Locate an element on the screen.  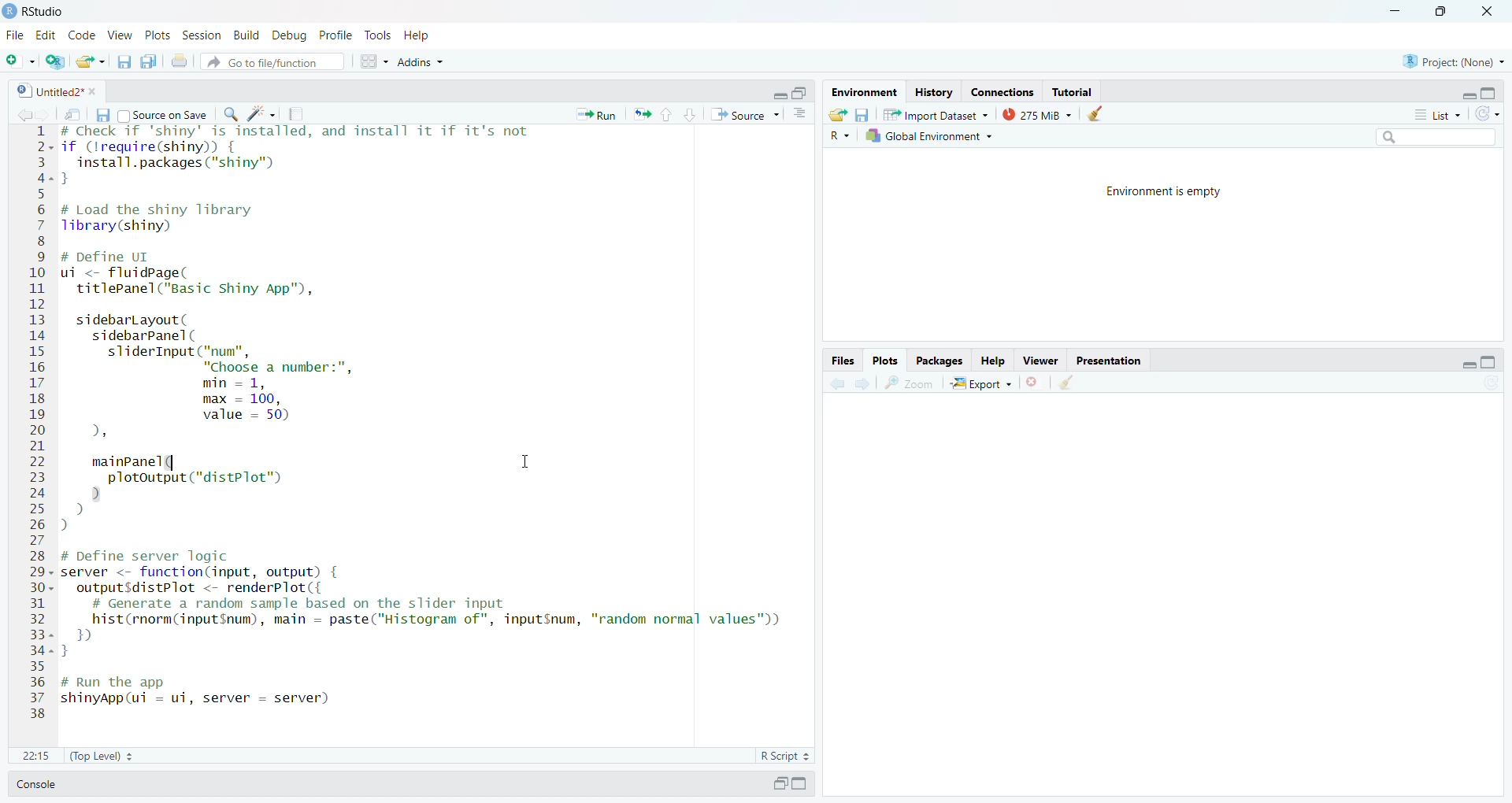
Build is located at coordinates (246, 35).